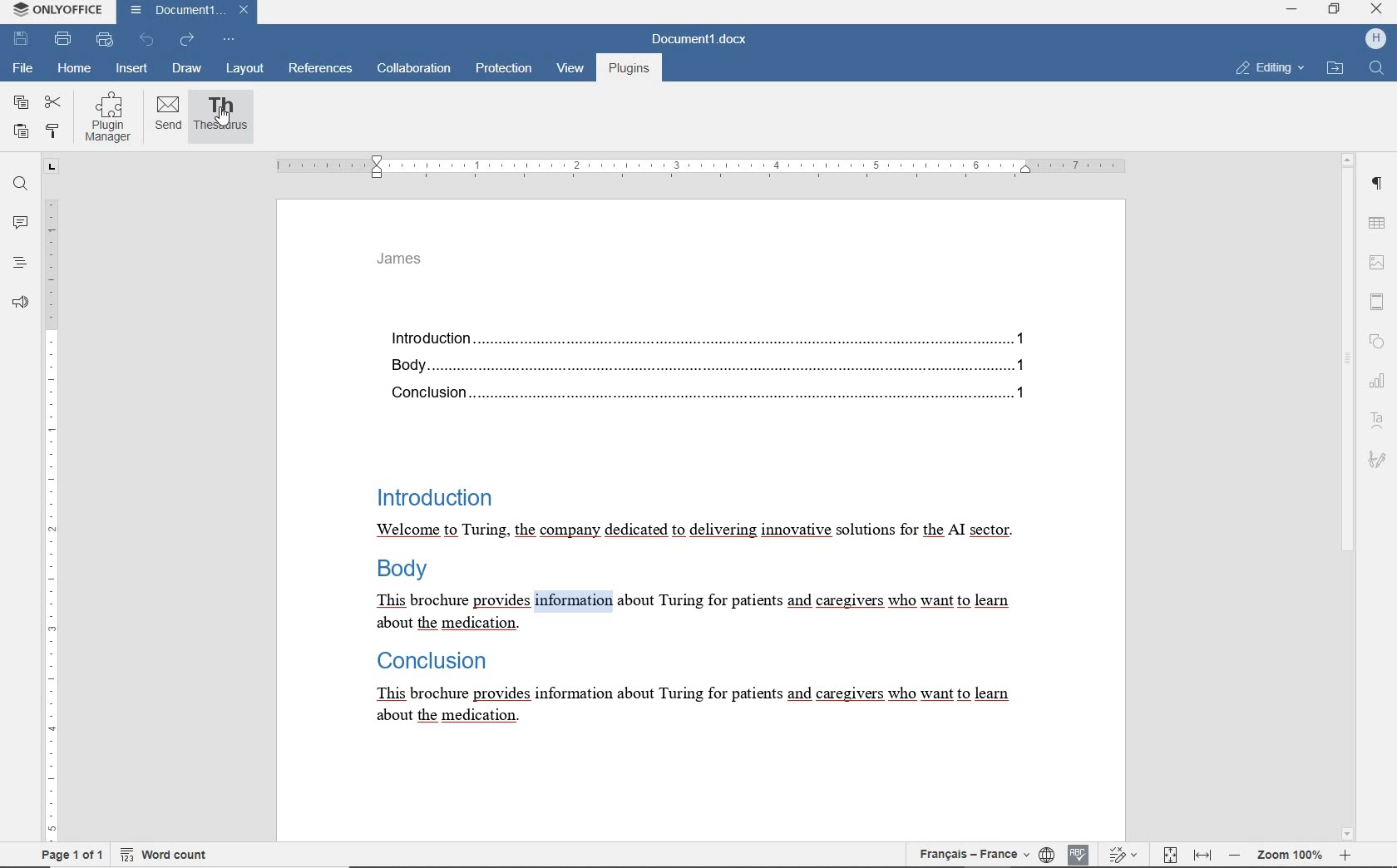 Image resolution: width=1397 pixels, height=868 pixels. Describe the element at coordinates (106, 40) in the screenshot. I see `QUICK PRINT` at that location.